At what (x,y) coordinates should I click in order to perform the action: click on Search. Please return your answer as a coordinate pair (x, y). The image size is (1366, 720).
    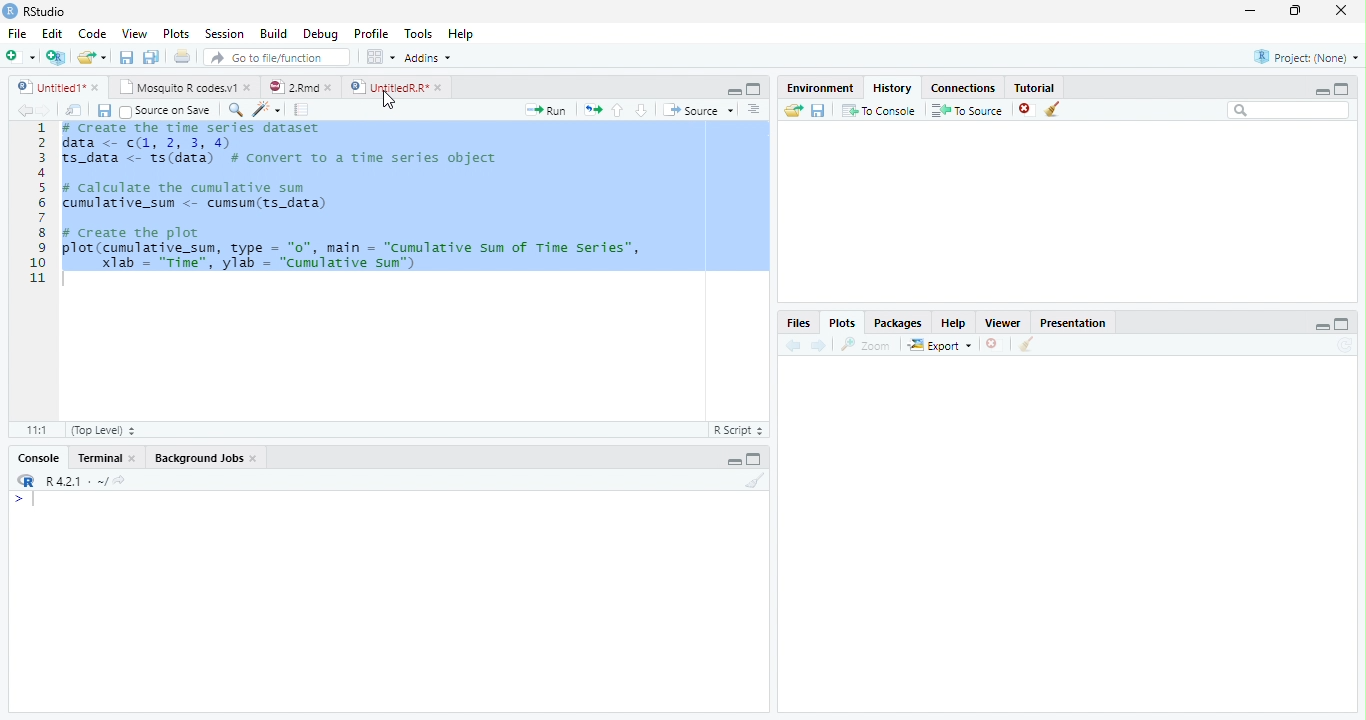
    Looking at the image, I should click on (1287, 111).